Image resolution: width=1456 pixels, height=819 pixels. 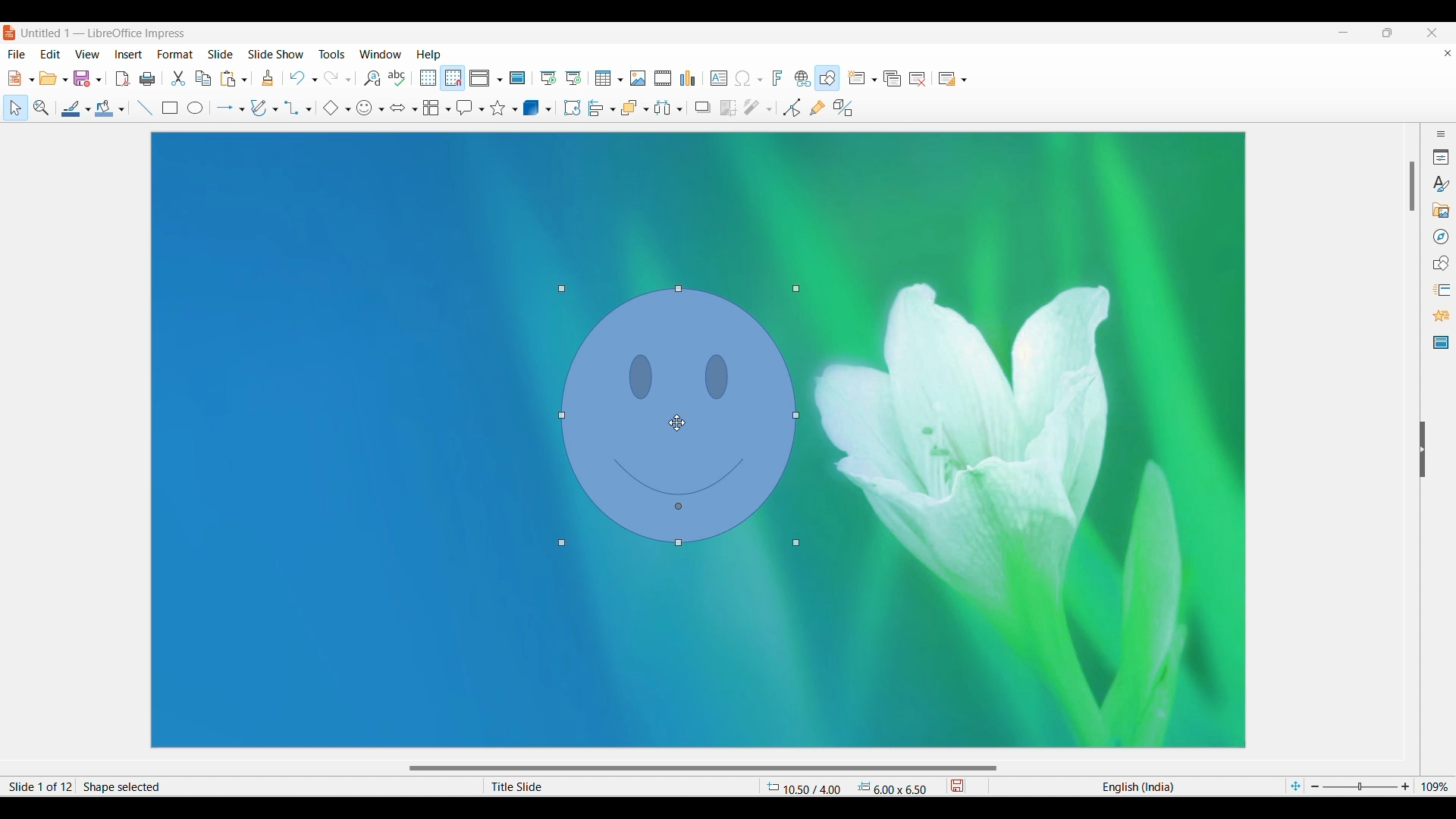 I want to click on Animation, so click(x=1442, y=315).